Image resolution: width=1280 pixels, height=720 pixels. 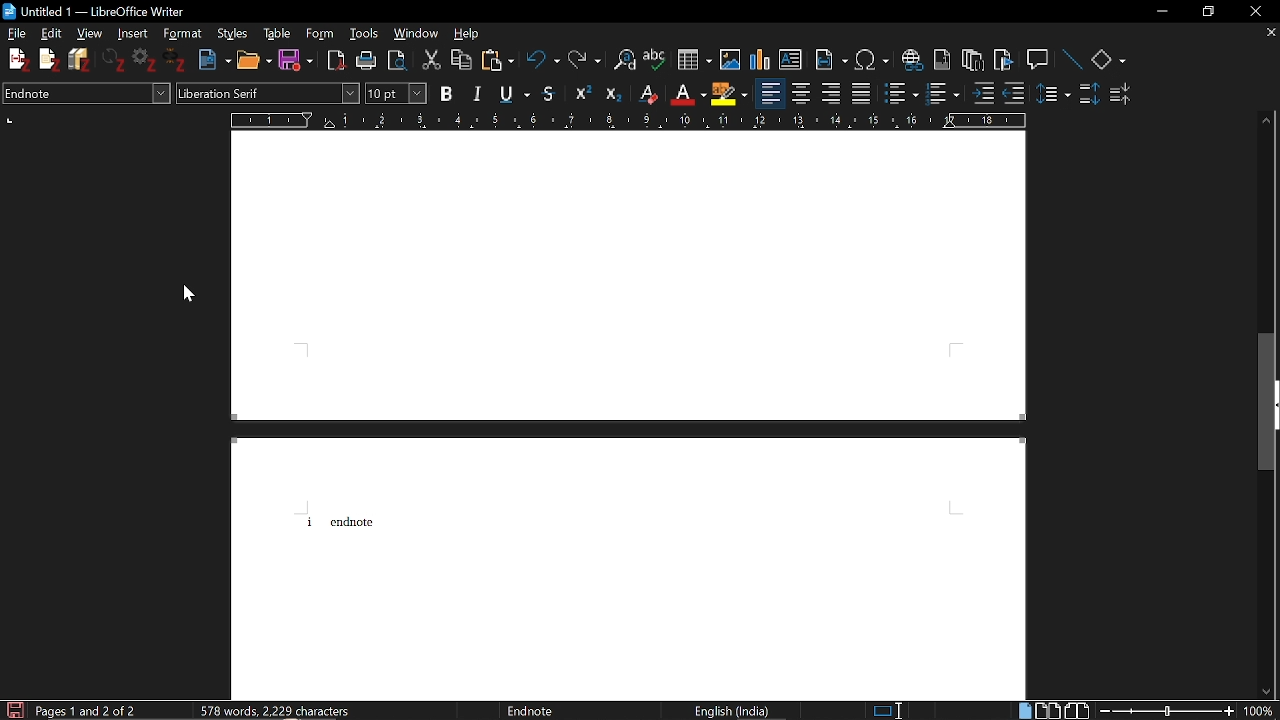 I want to click on Basic shapes, so click(x=1108, y=61).